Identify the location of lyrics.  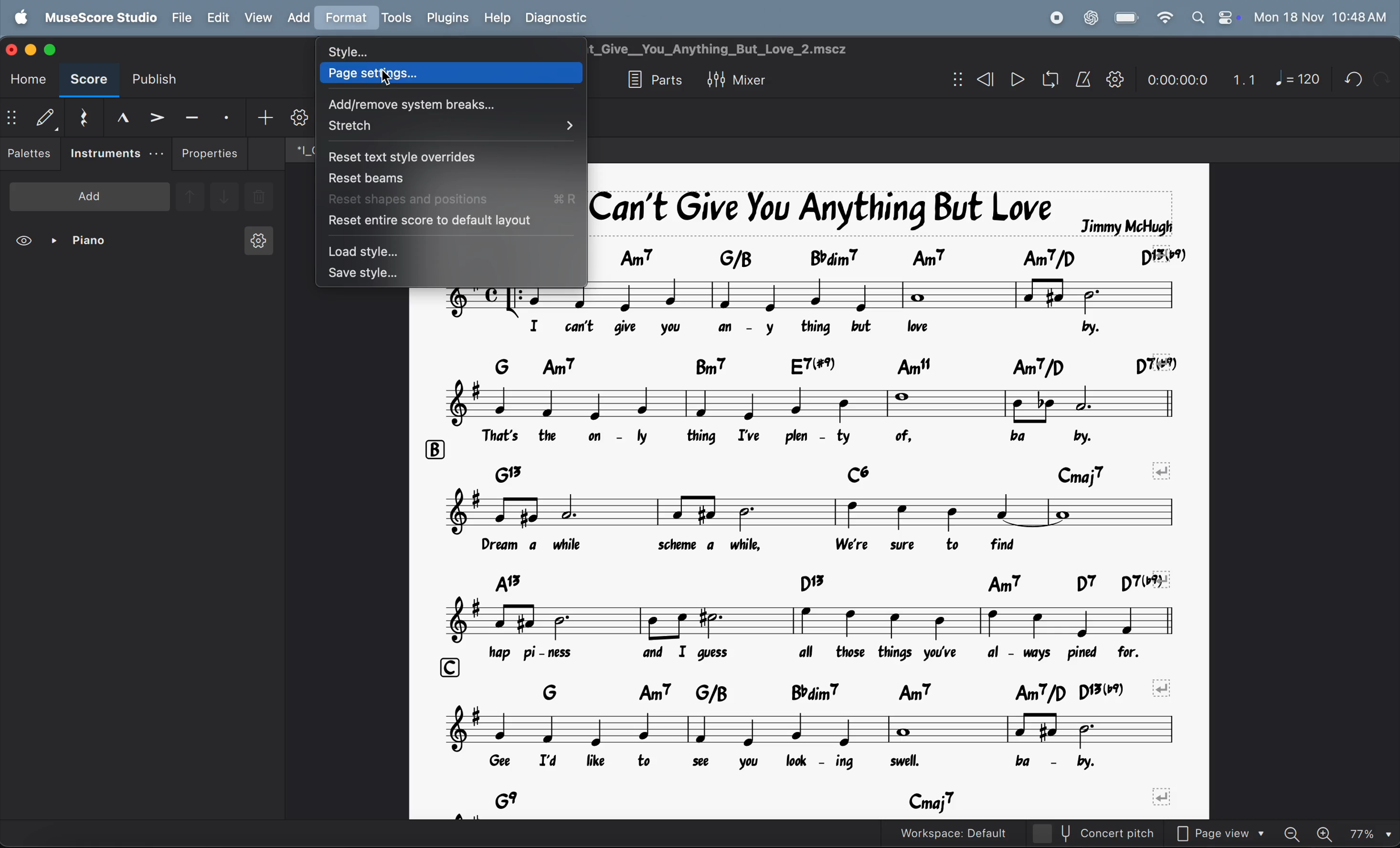
(813, 329).